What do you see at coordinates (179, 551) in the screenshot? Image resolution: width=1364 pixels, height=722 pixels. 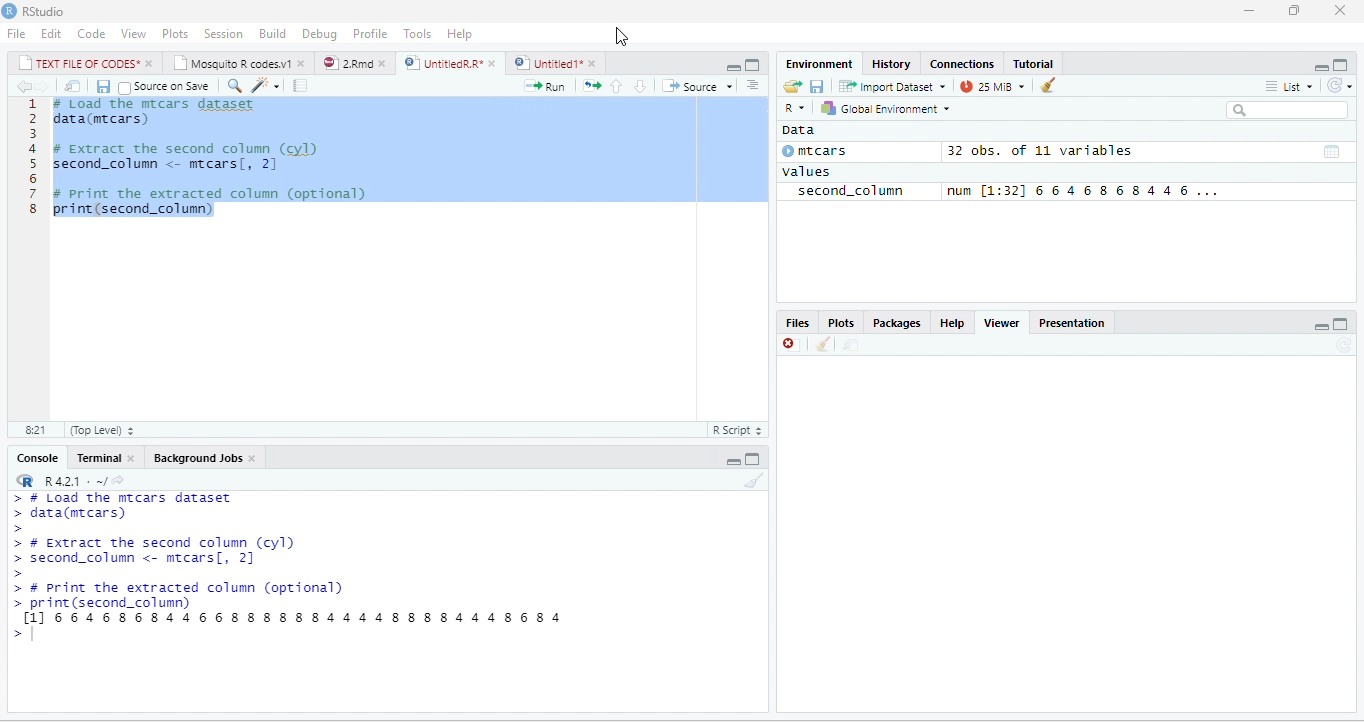 I see ` # Load the mrcars dataset 2 data(mecars) 3 4 # Extract the second column (cyl) 5 second_column <- mrcars[, 2] 6 7 # print the extracted column (optional) 8 print(second_column)` at bounding box center [179, 551].